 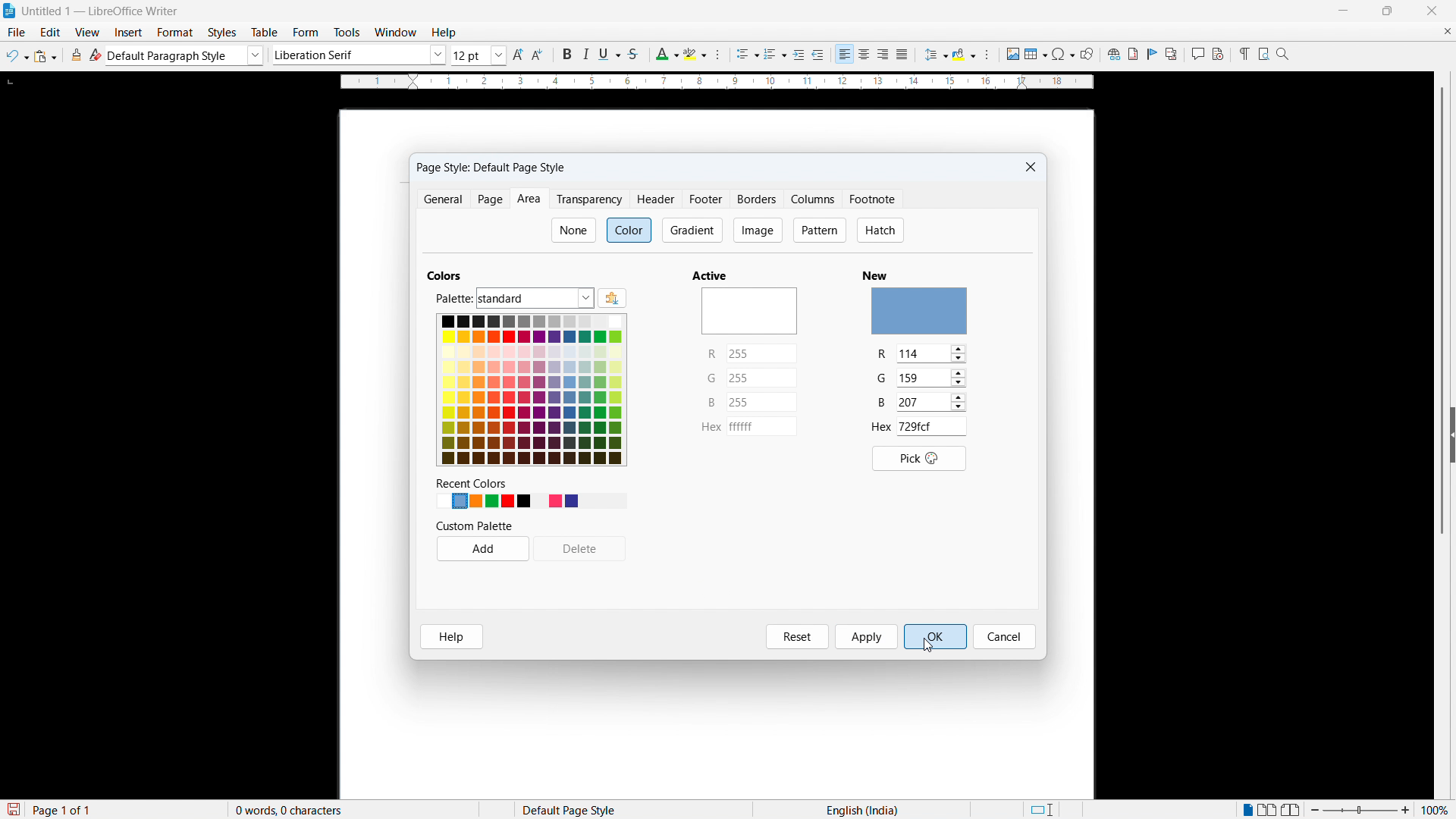 What do you see at coordinates (932, 426) in the screenshot?
I see `hex value of the colour ` at bounding box center [932, 426].